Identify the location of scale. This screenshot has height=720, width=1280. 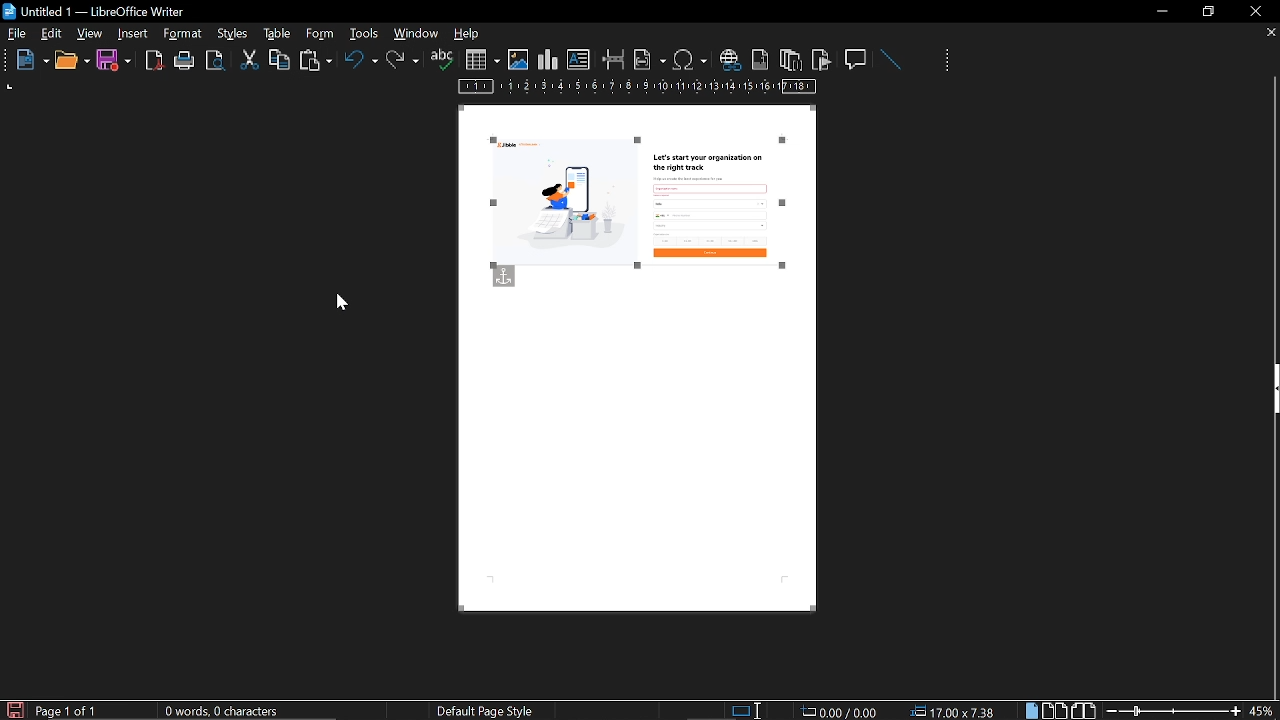
(638, 88).